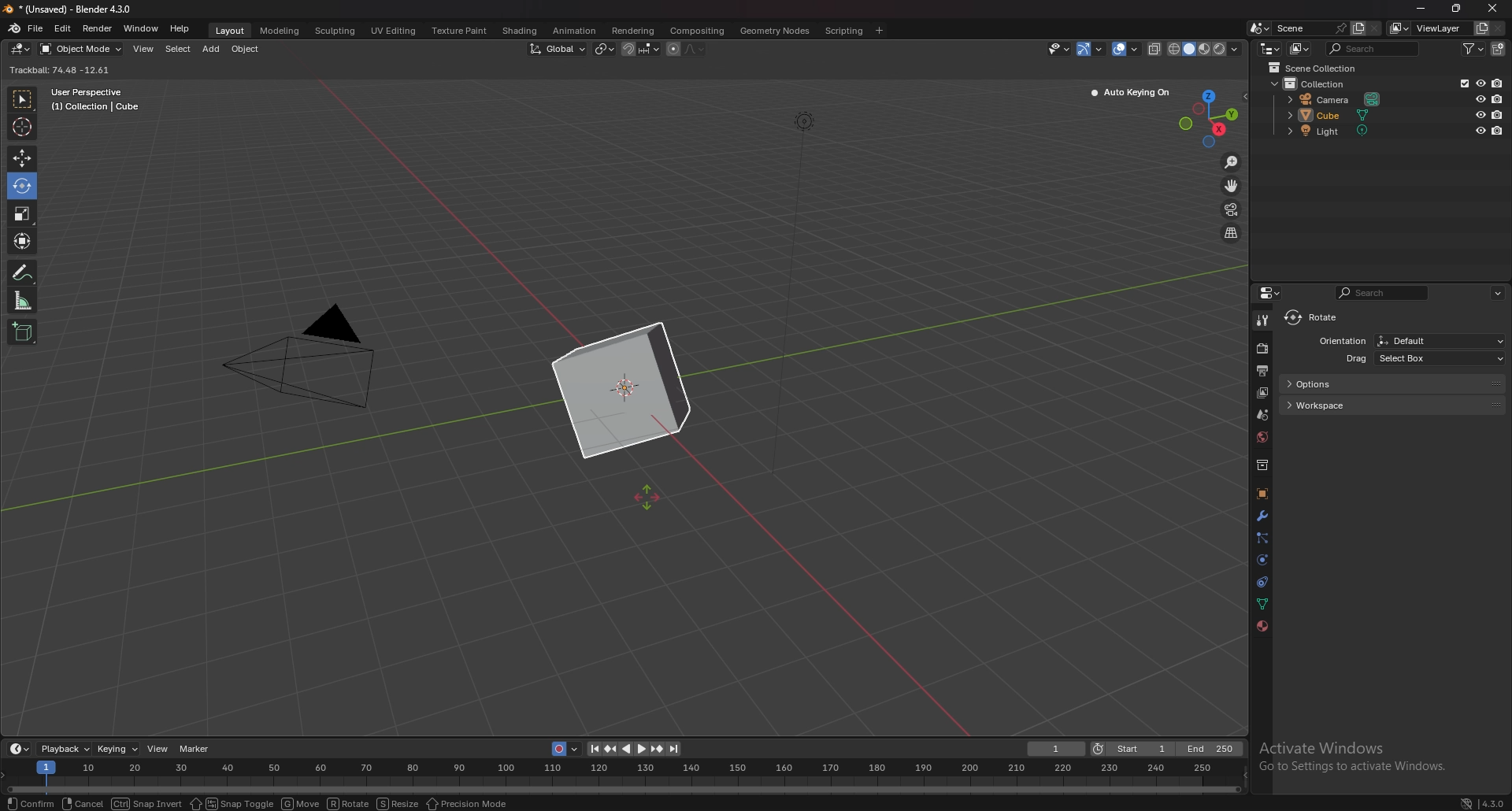  What do you see at coordinates (1429, 28) in the screenshot?
I see `view layer` at bounding box center [1429, 28].